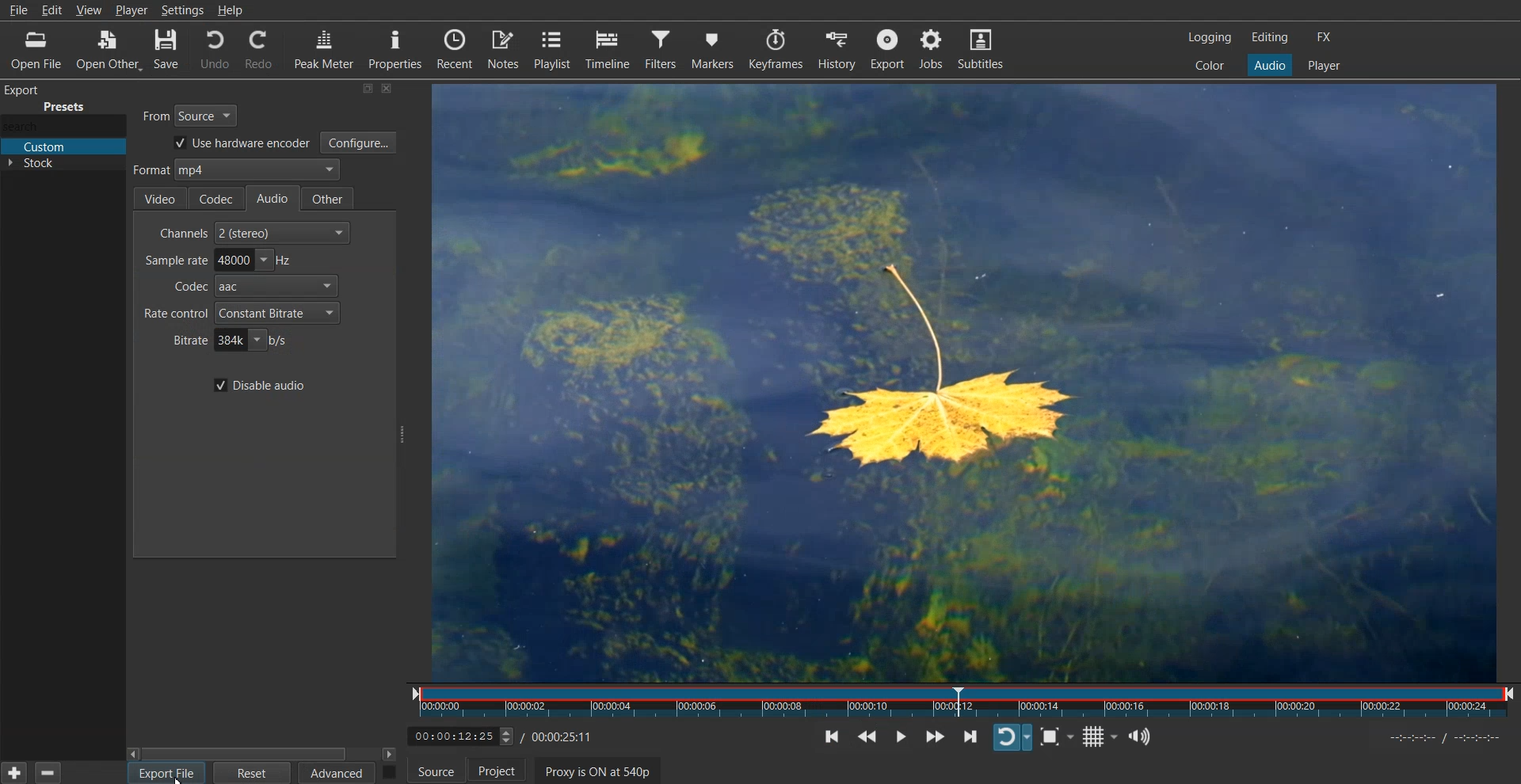 This screenshot has width=1521, height=784. I want to click on Sample rate adjuster, so click(216, 260).